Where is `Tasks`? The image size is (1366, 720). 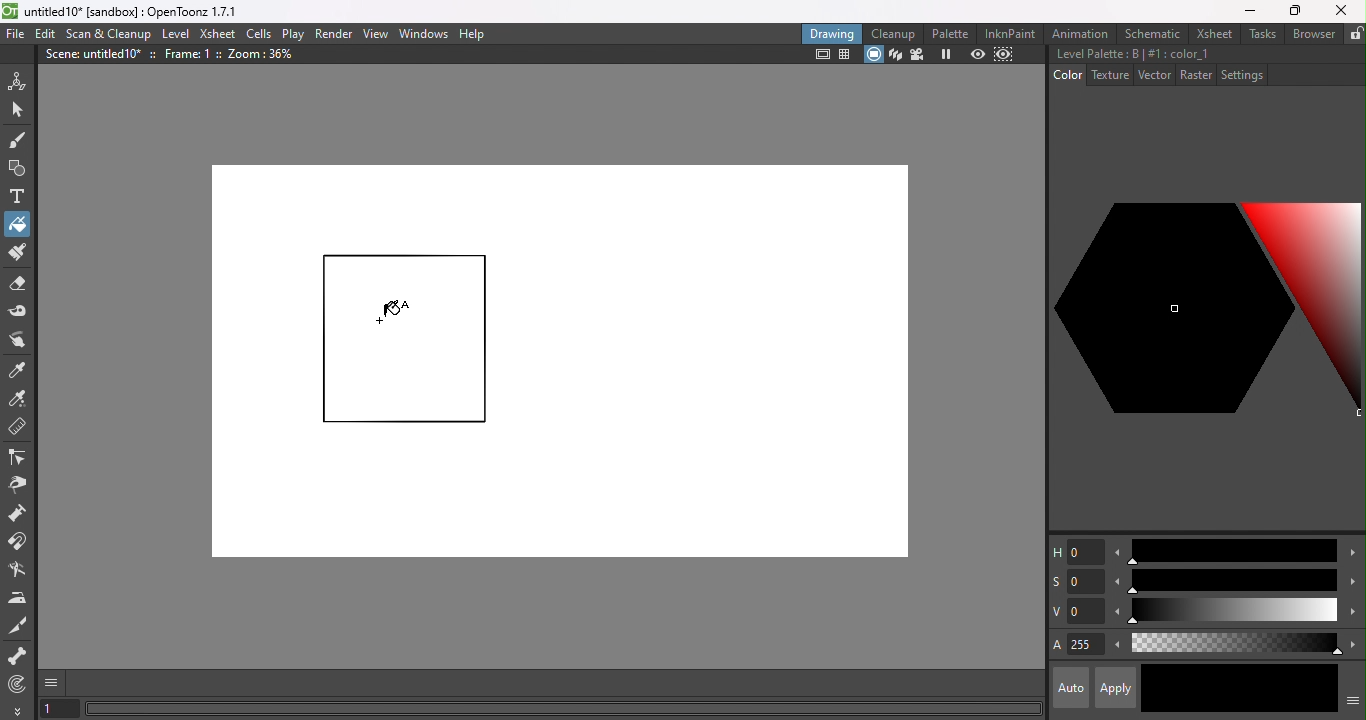
Tasks is located at coordinates (1261, 34).